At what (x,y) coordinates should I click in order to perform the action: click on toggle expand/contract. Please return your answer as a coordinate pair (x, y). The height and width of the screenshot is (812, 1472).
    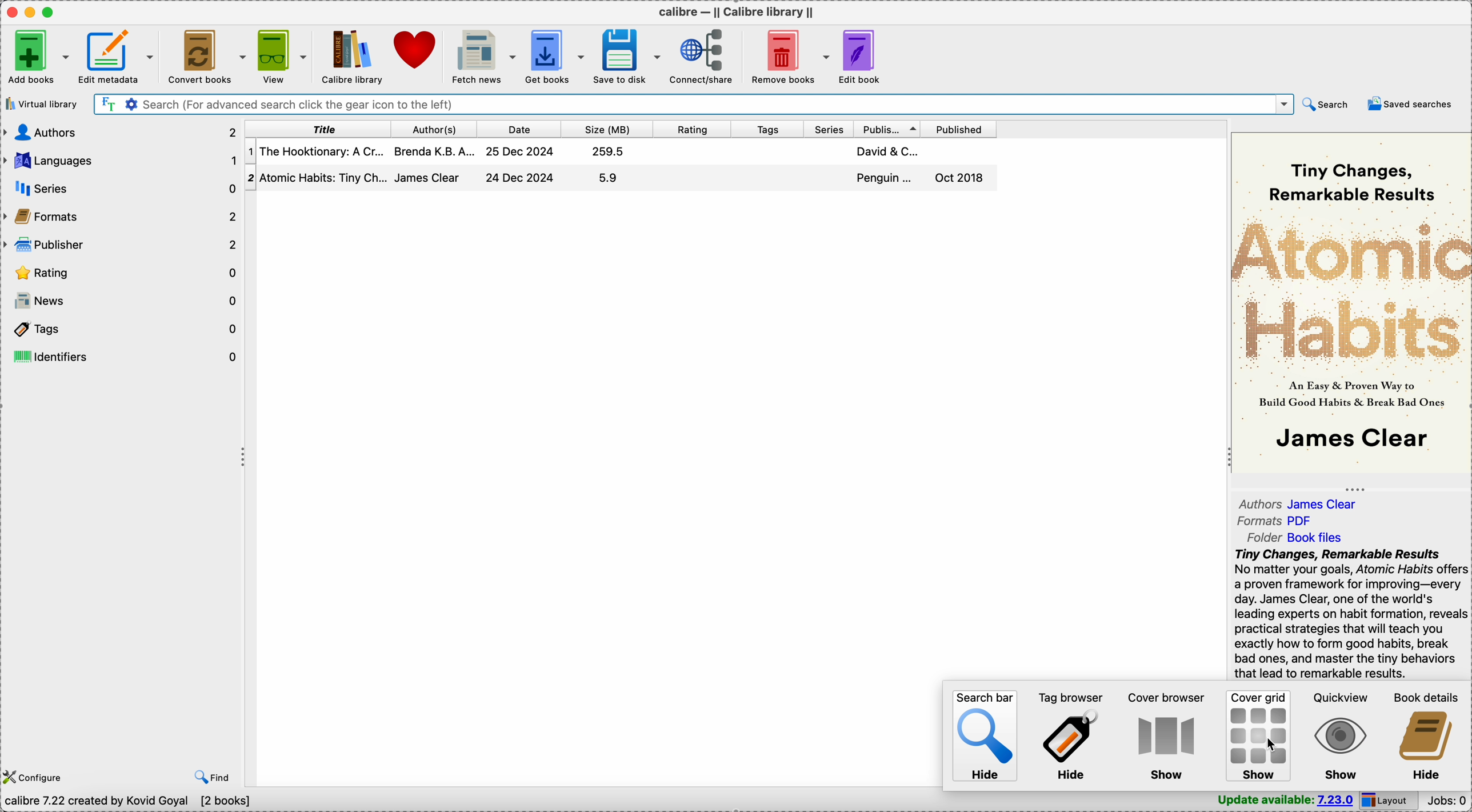
    Looking at the image, I should click on (1355, 490).